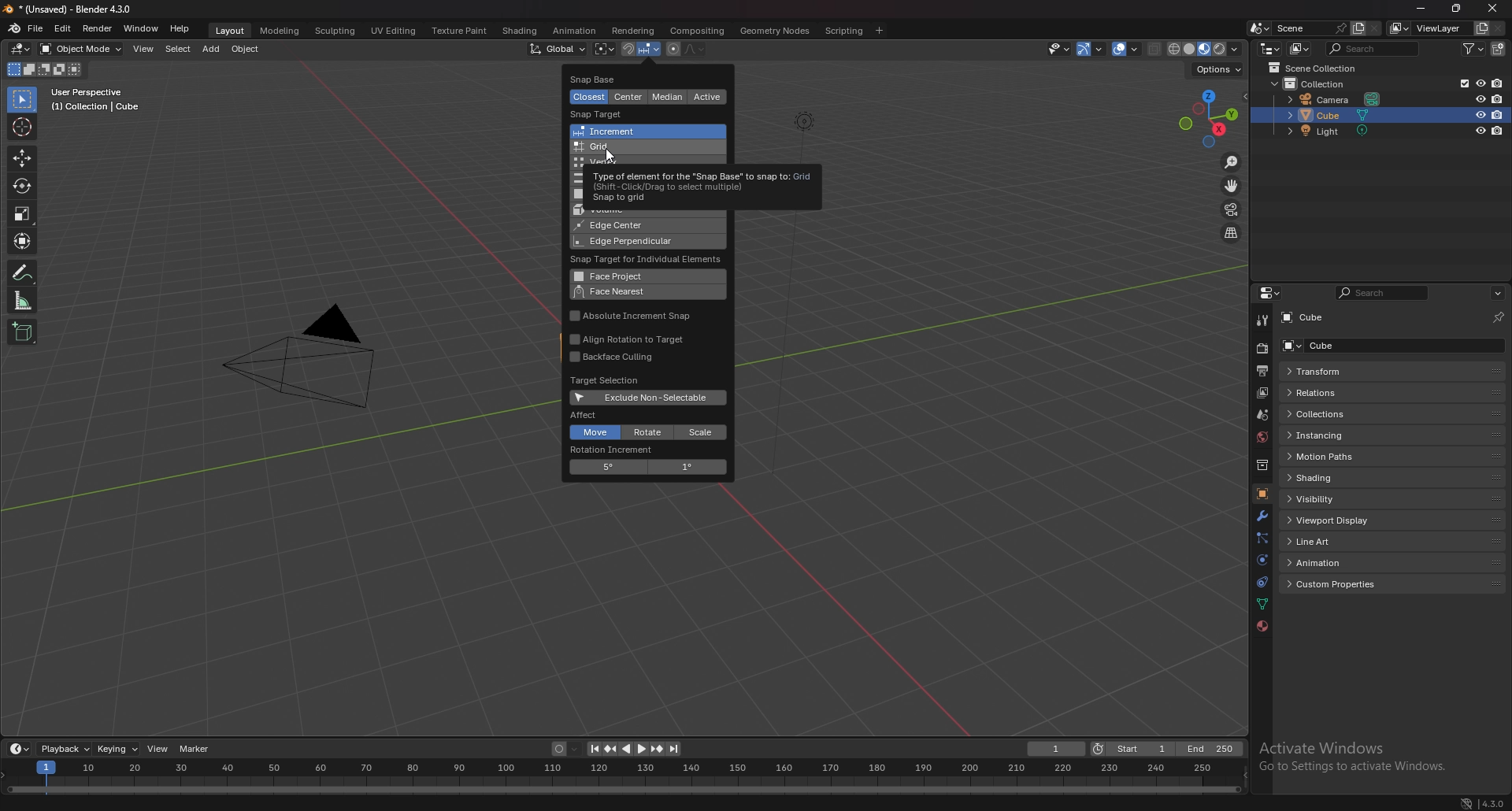 Image resolution: width=1512 pixels, height=811 pixels. I want to click on editor type, so click(20, 748).